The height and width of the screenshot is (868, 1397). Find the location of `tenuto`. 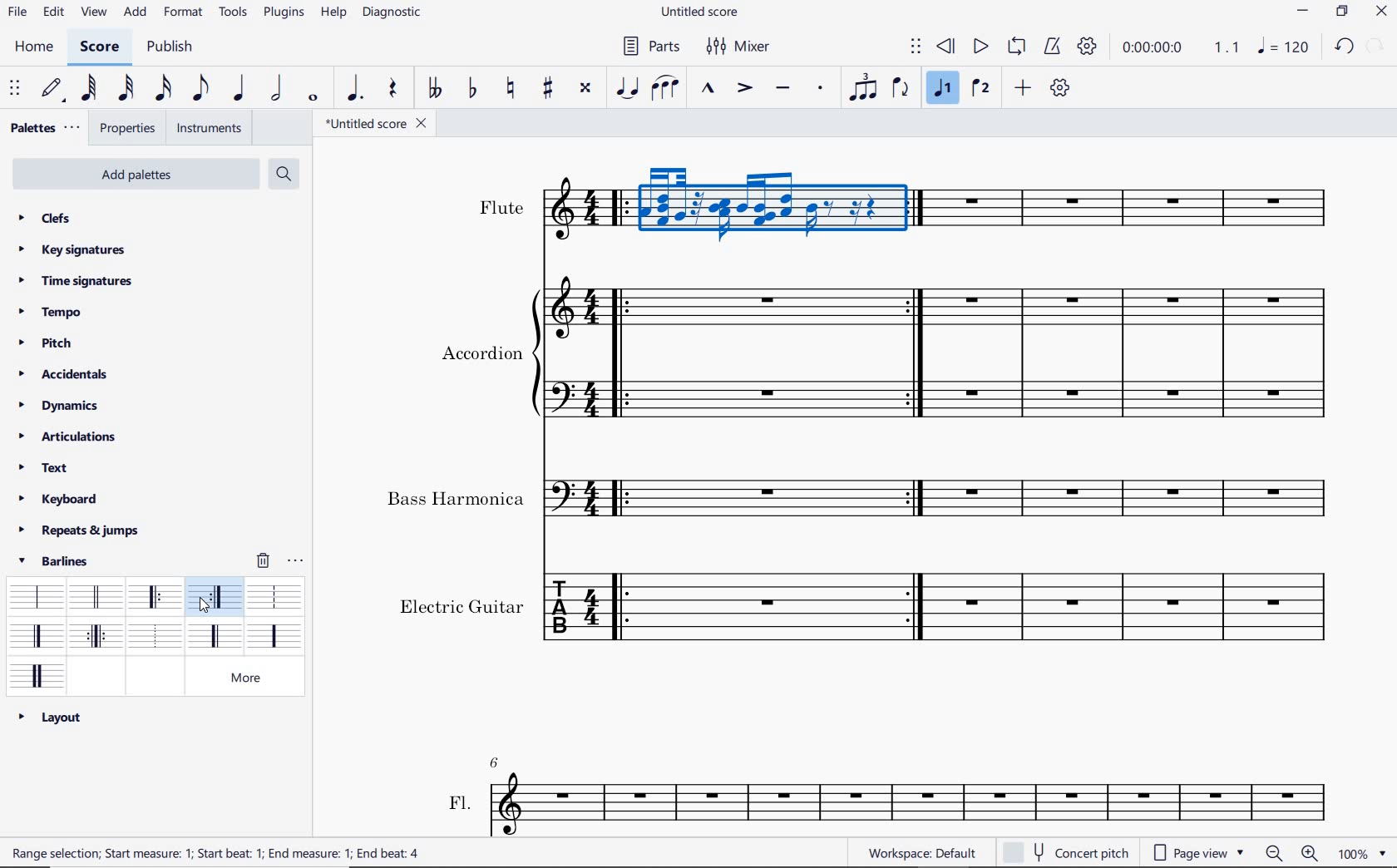

tenuto is located at coordinates (782, 88).